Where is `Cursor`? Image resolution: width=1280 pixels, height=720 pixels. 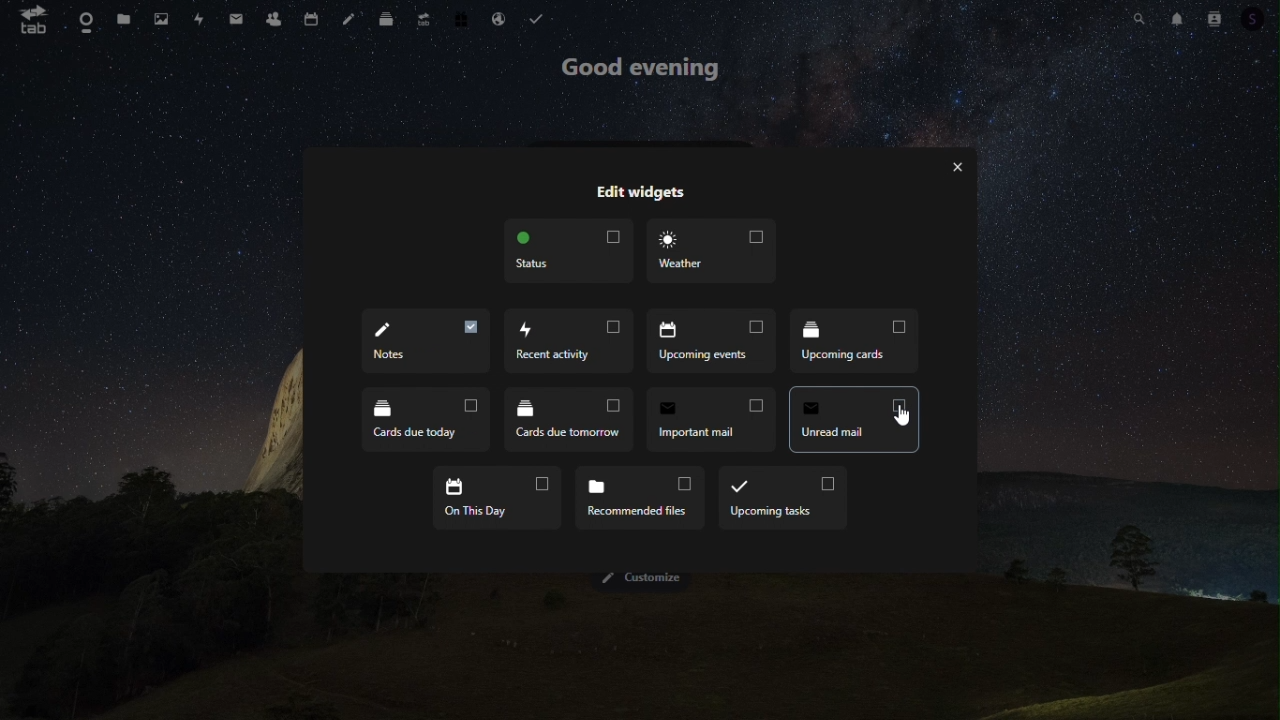 Cursor is located at coordinates (901, 416).